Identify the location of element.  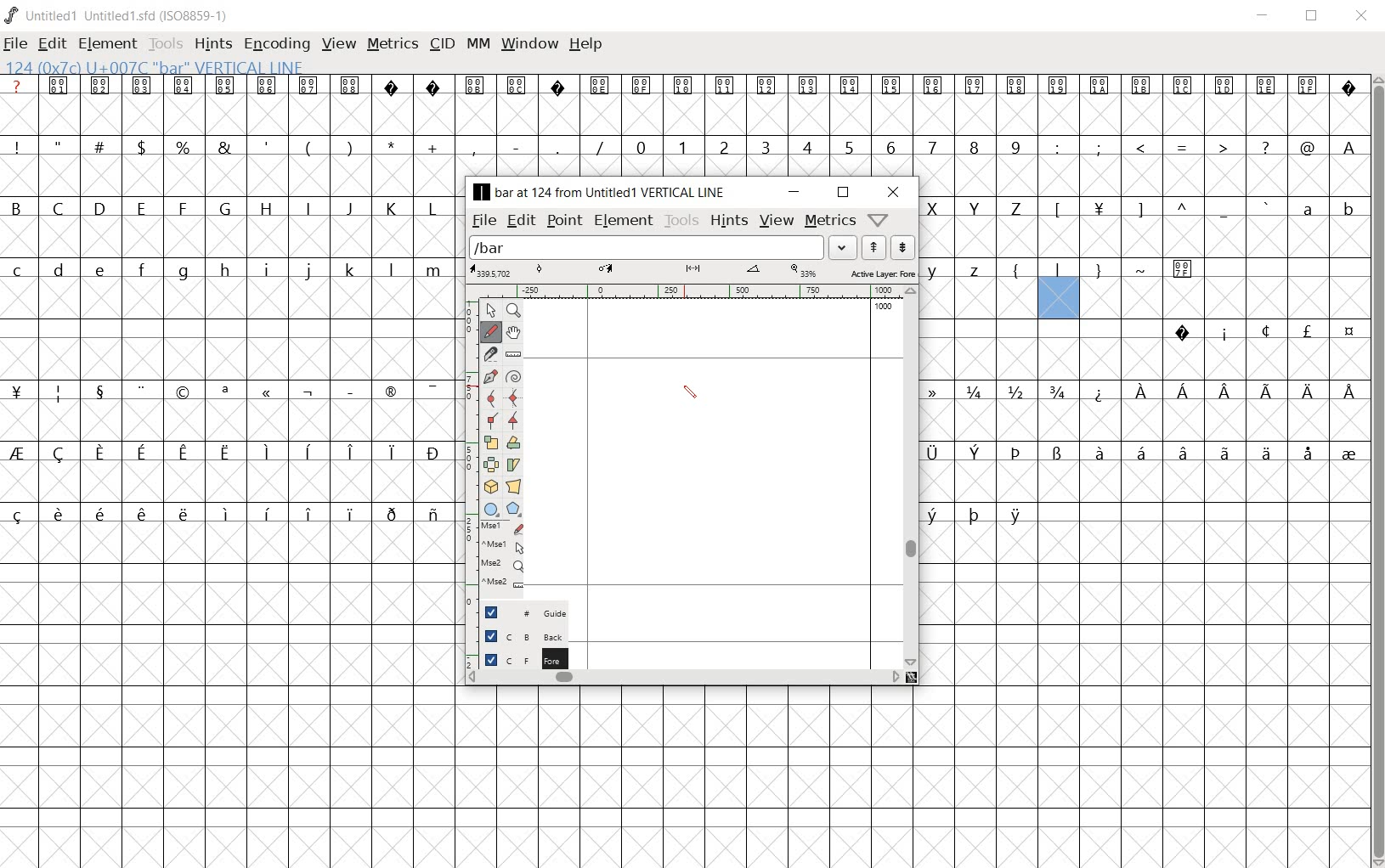
(623, 220).